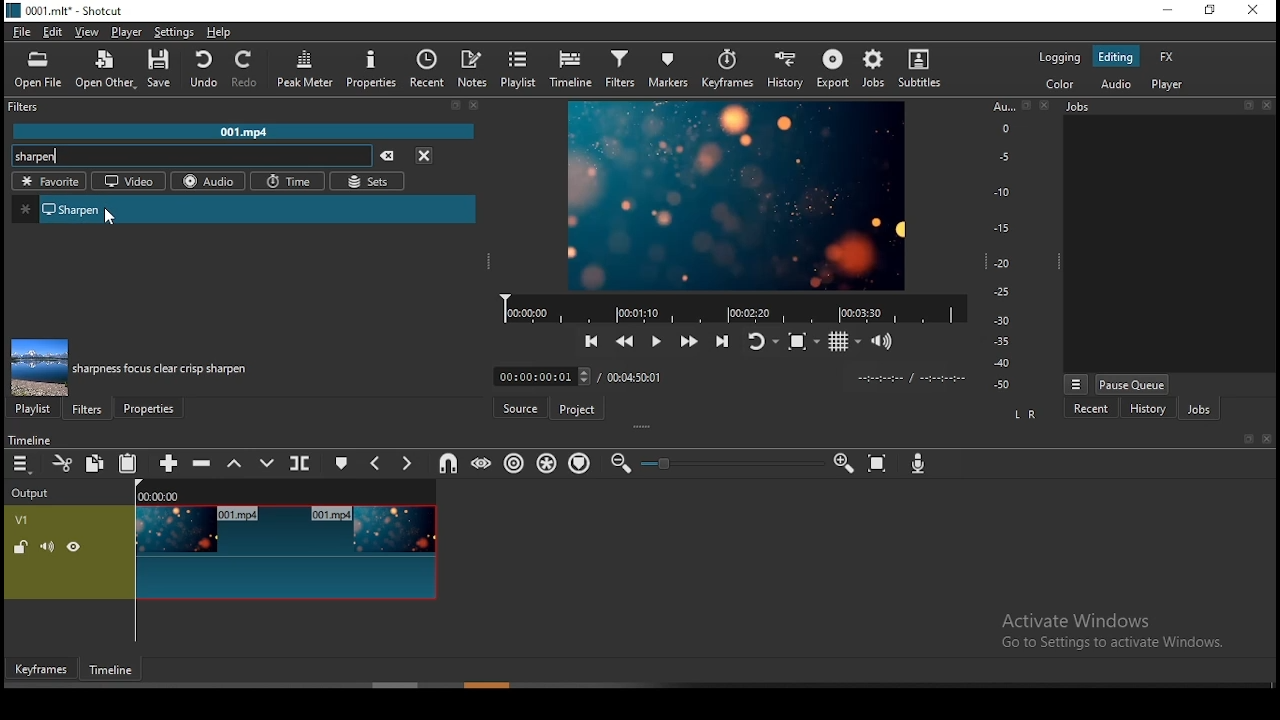 The image size is (1280, 720). What do you see at coordinates (482, 464) in the screenshot?
I see `scrub while dragging` at bounding box center [482, 464].